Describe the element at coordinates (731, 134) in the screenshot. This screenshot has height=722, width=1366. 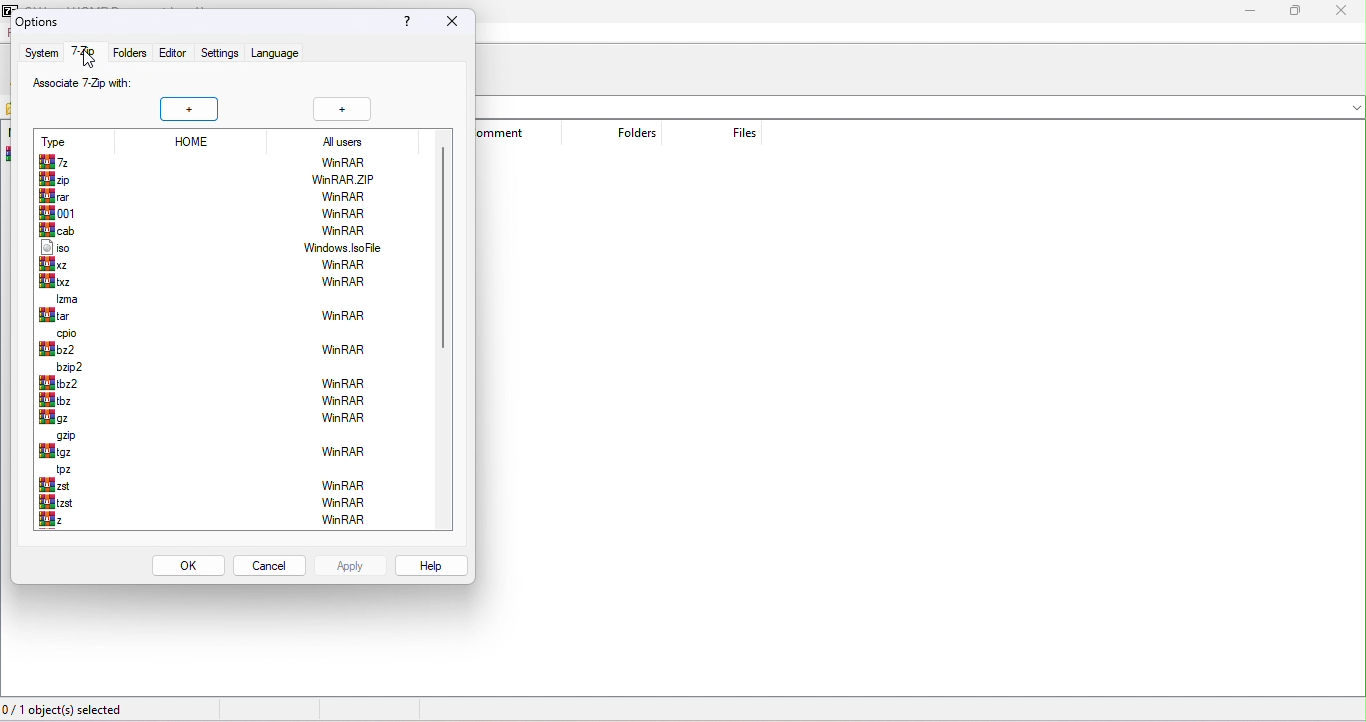
I see `files` at that location.